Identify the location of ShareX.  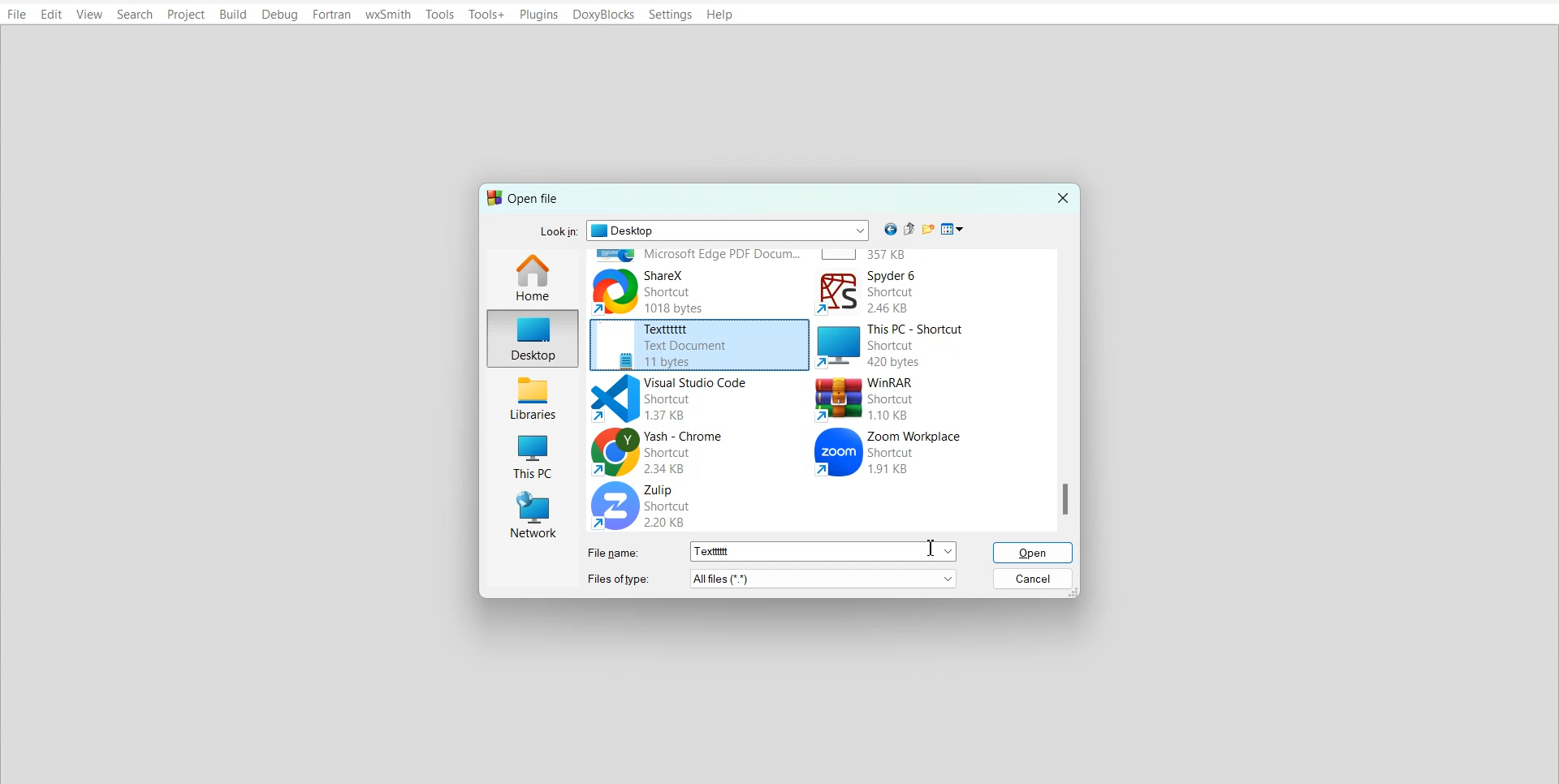
(698, 290).